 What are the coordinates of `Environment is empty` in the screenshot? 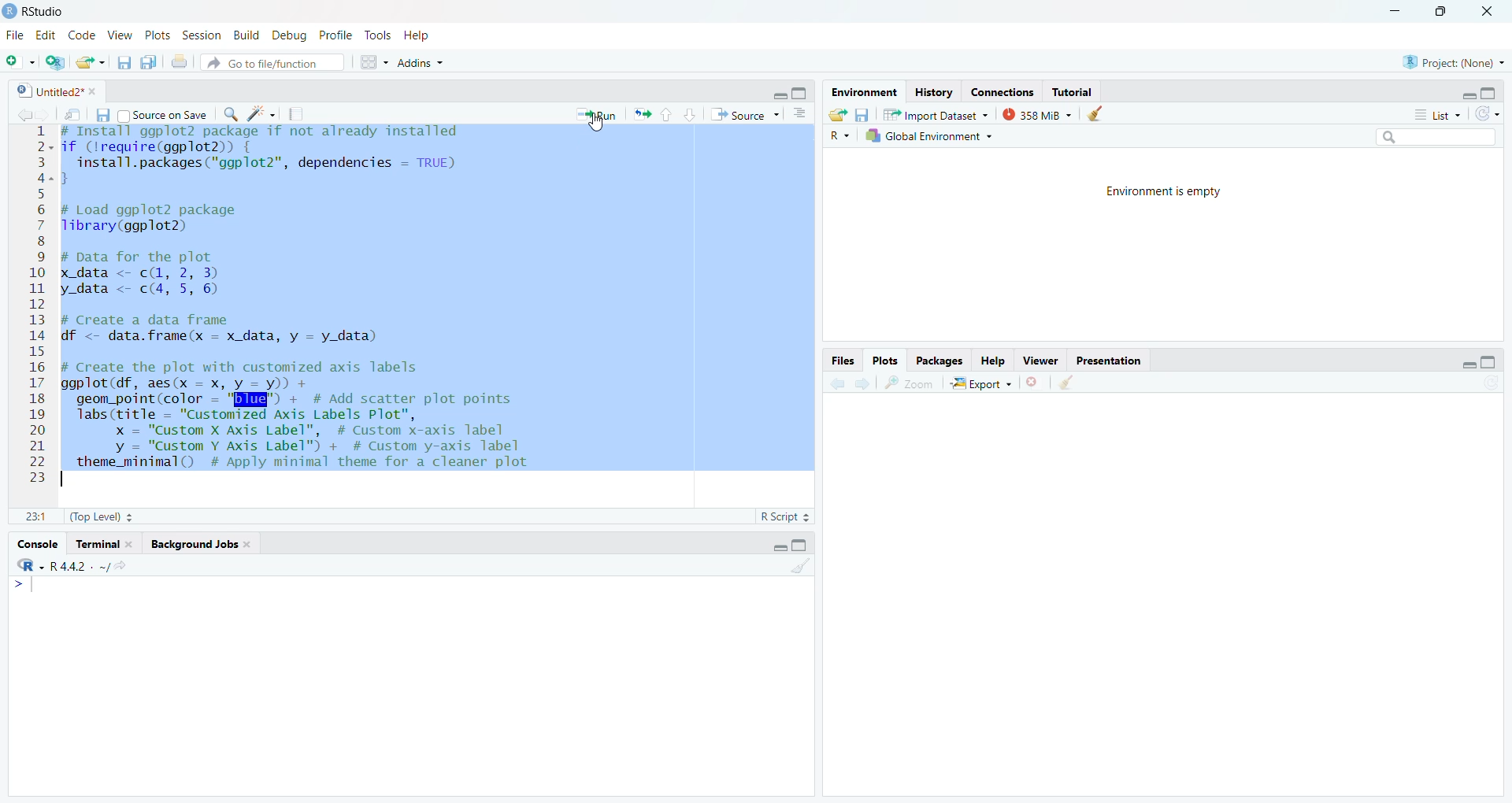 It's located at (1170, 192).